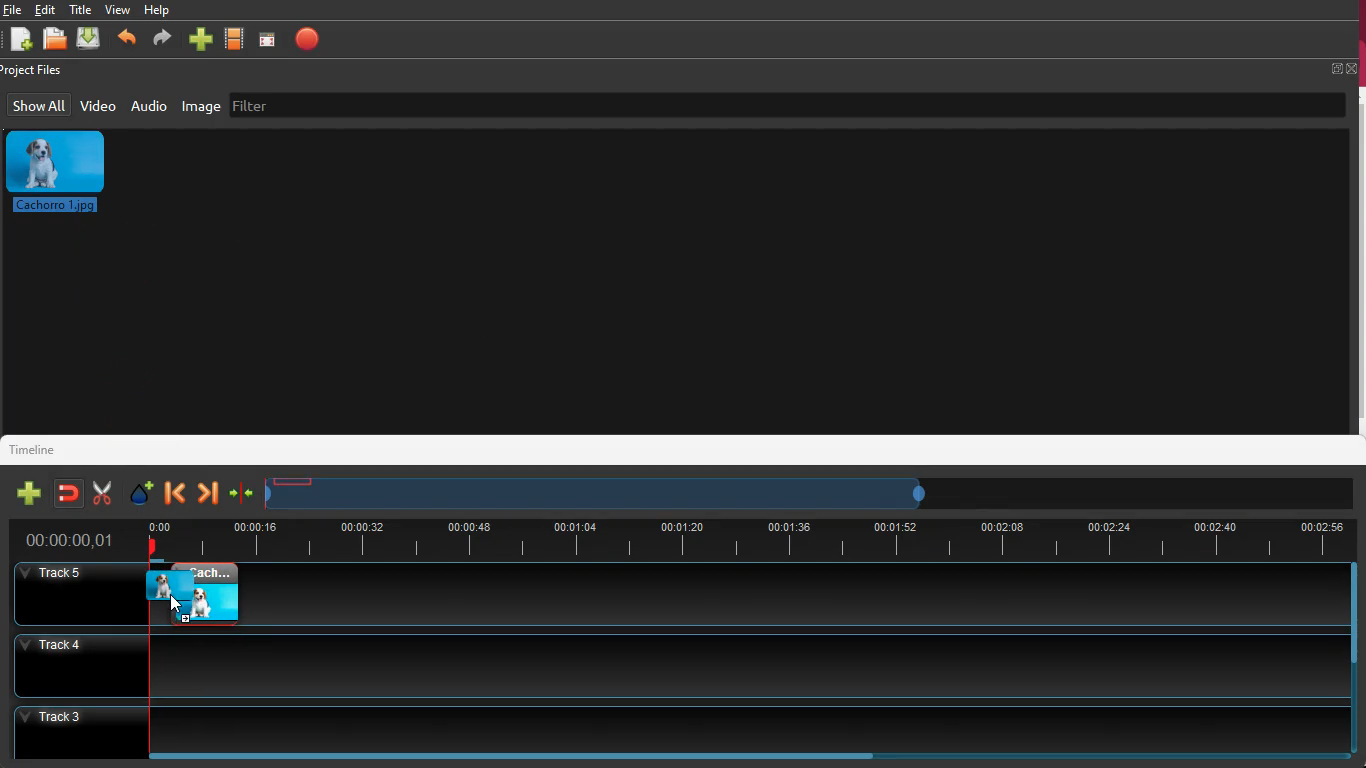 The image size is (1366, 768). I want to click on cut, so click(97, 493).